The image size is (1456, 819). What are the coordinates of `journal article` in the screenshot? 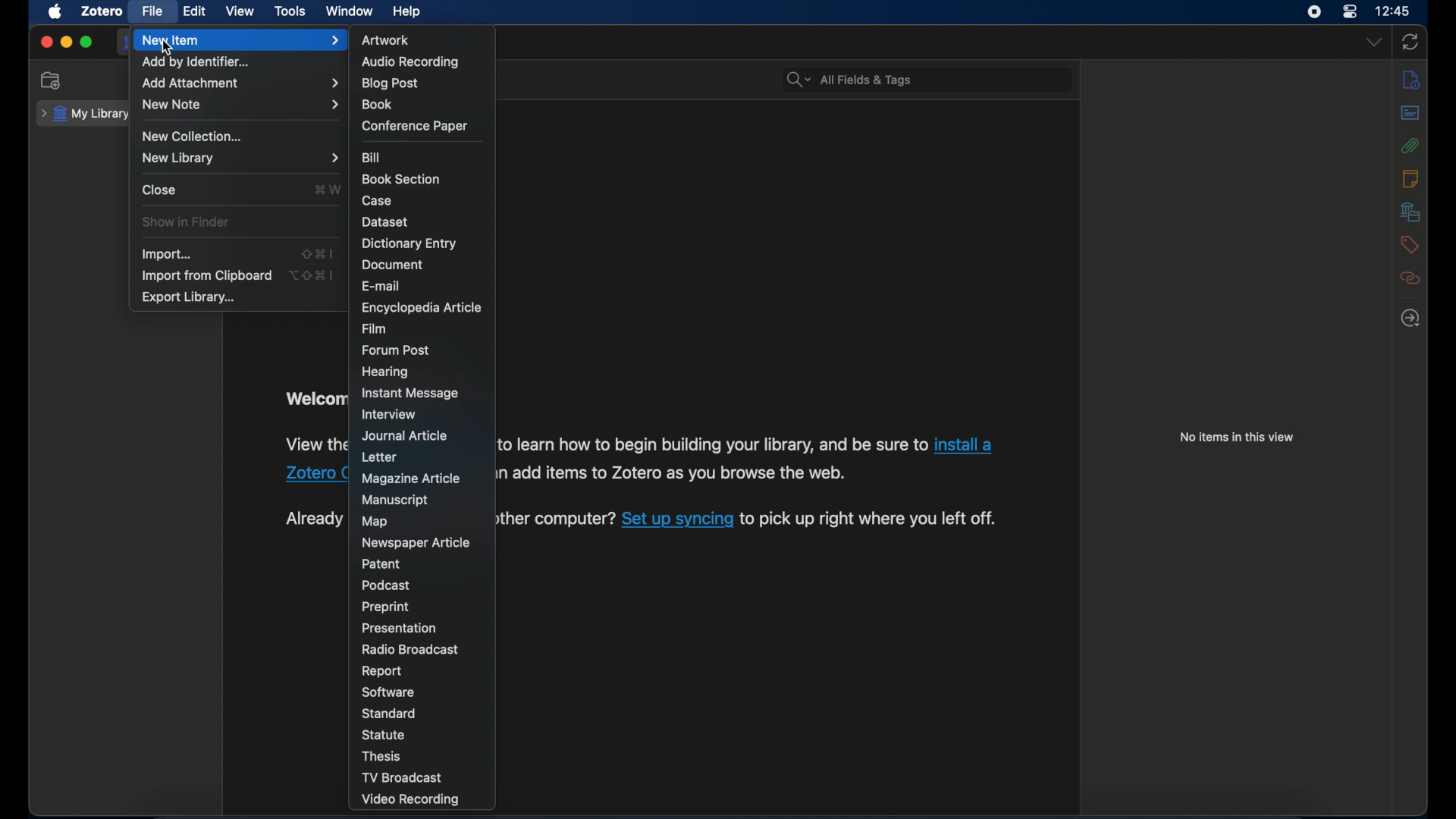 It's located at (406, 435).